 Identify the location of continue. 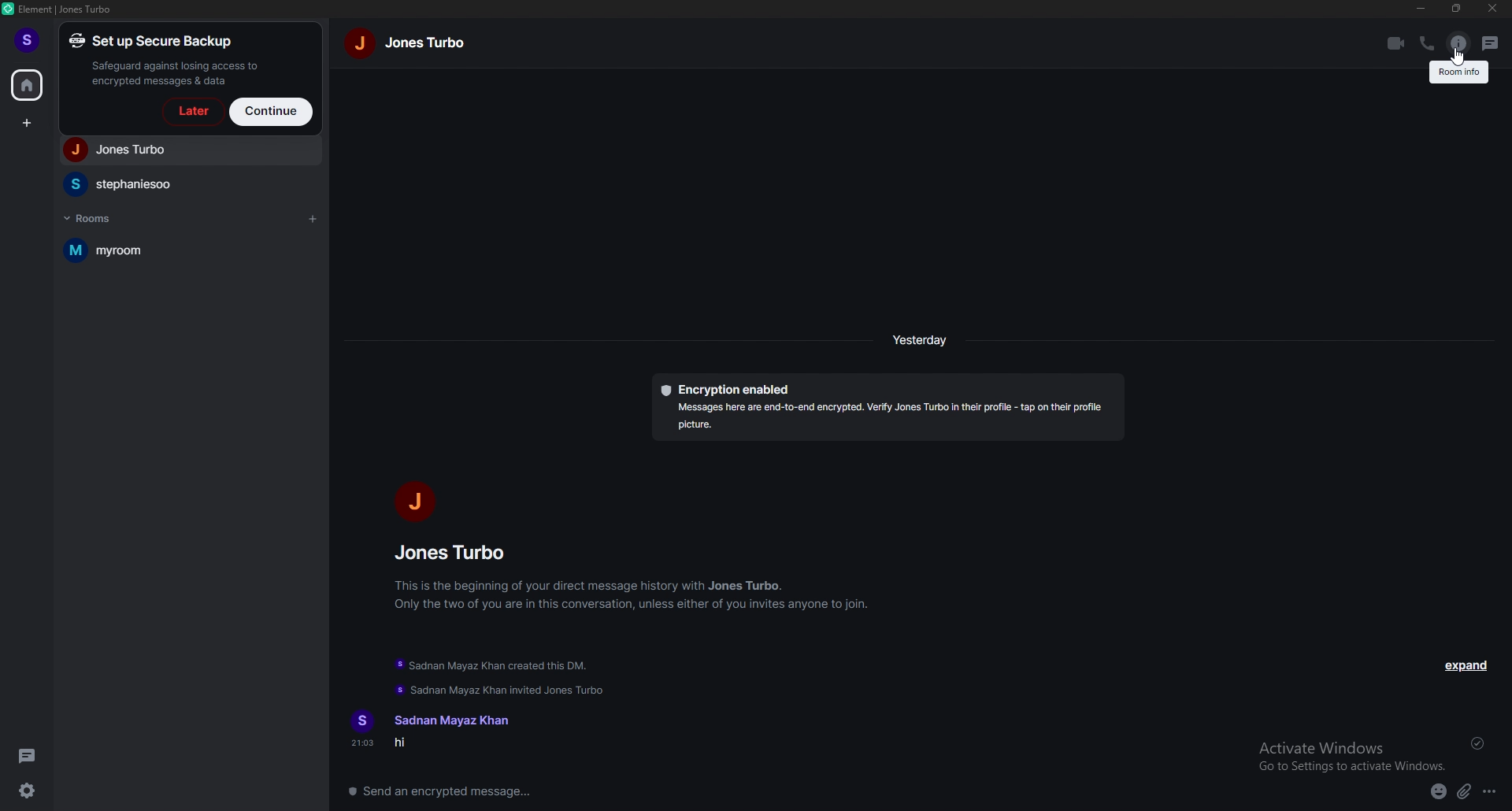
(272, 111).